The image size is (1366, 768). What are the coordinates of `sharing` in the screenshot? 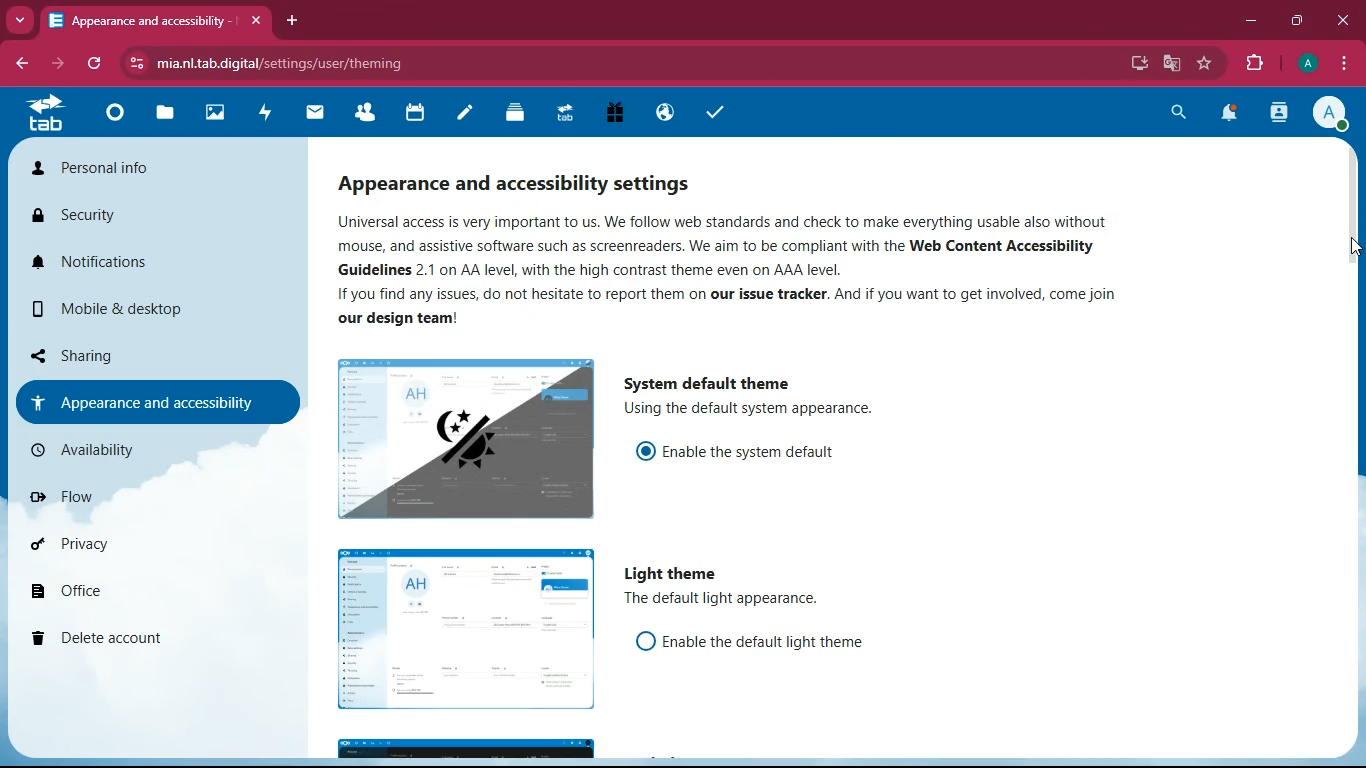 It's located at (132, 351).